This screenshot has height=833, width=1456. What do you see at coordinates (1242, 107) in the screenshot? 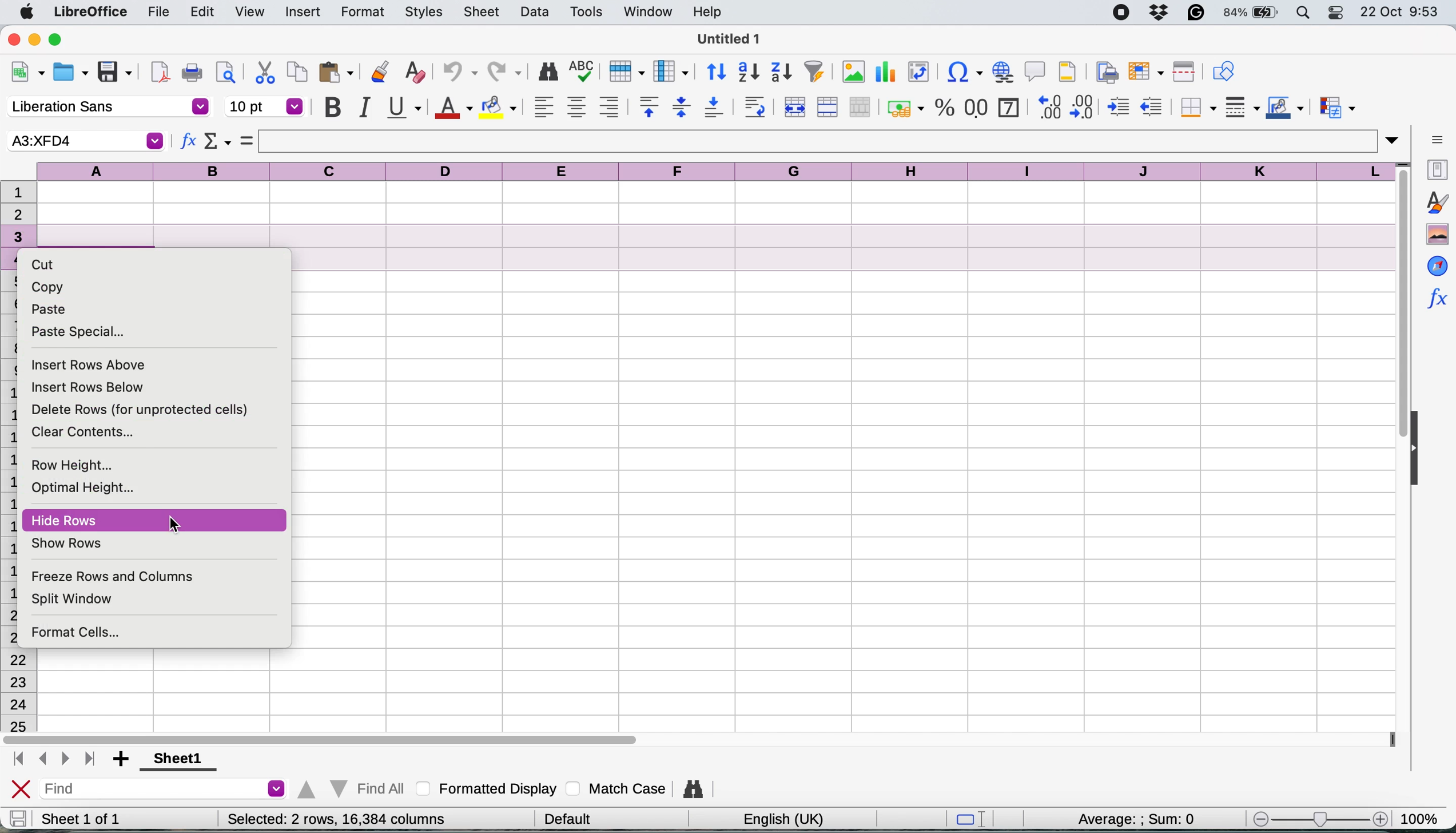
I see `border styles` at bounding box center [1242, 107].